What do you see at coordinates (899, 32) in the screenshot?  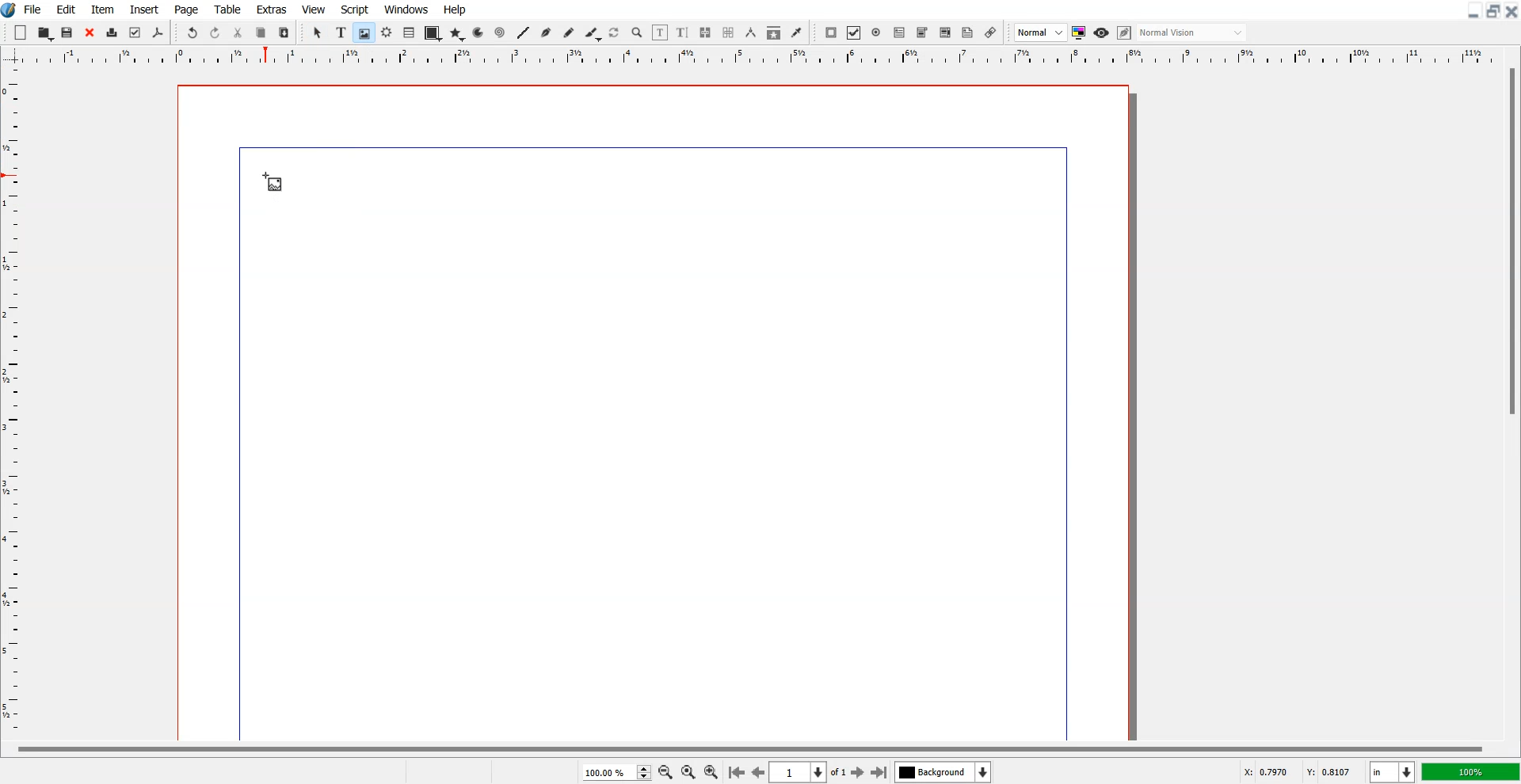 I see `PDF Text Field` at bounding box center [899, 32].